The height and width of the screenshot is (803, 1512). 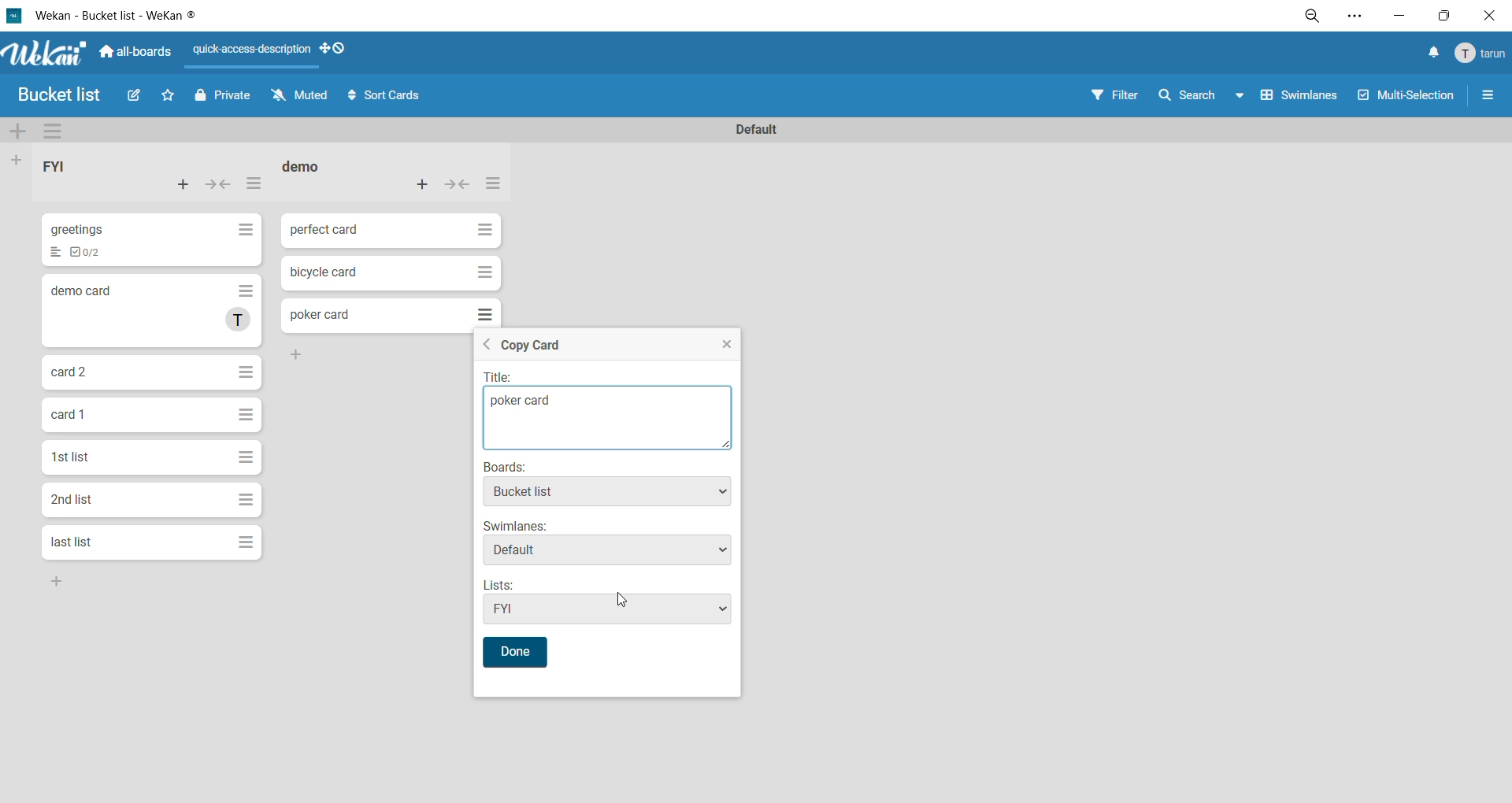 What do you see at coordinates (42, 51) in the screenshot?
I see `Wekan` at bounding box center [42, 51].